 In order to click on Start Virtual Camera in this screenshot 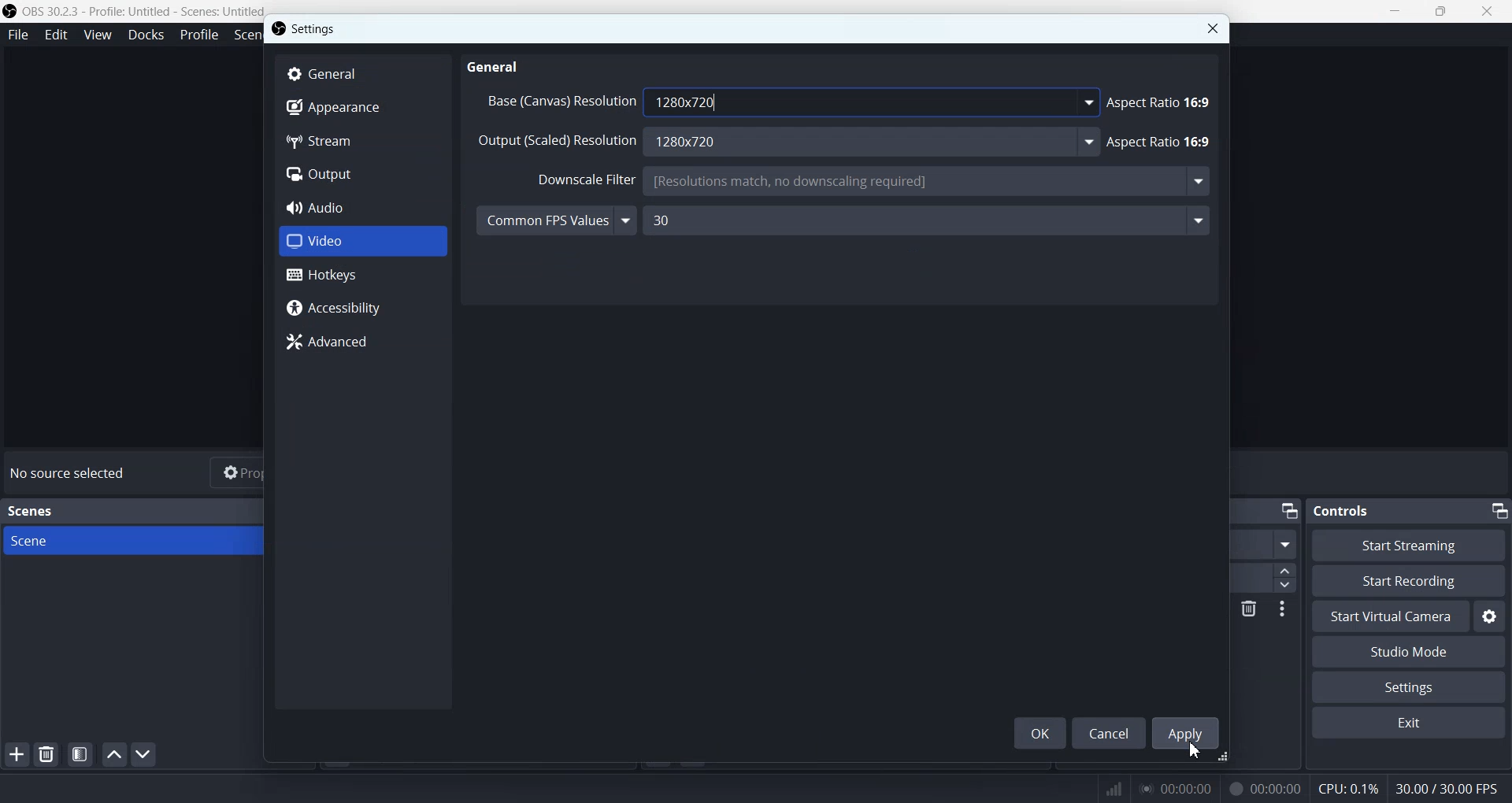, I will do `click(1390, 616)`.